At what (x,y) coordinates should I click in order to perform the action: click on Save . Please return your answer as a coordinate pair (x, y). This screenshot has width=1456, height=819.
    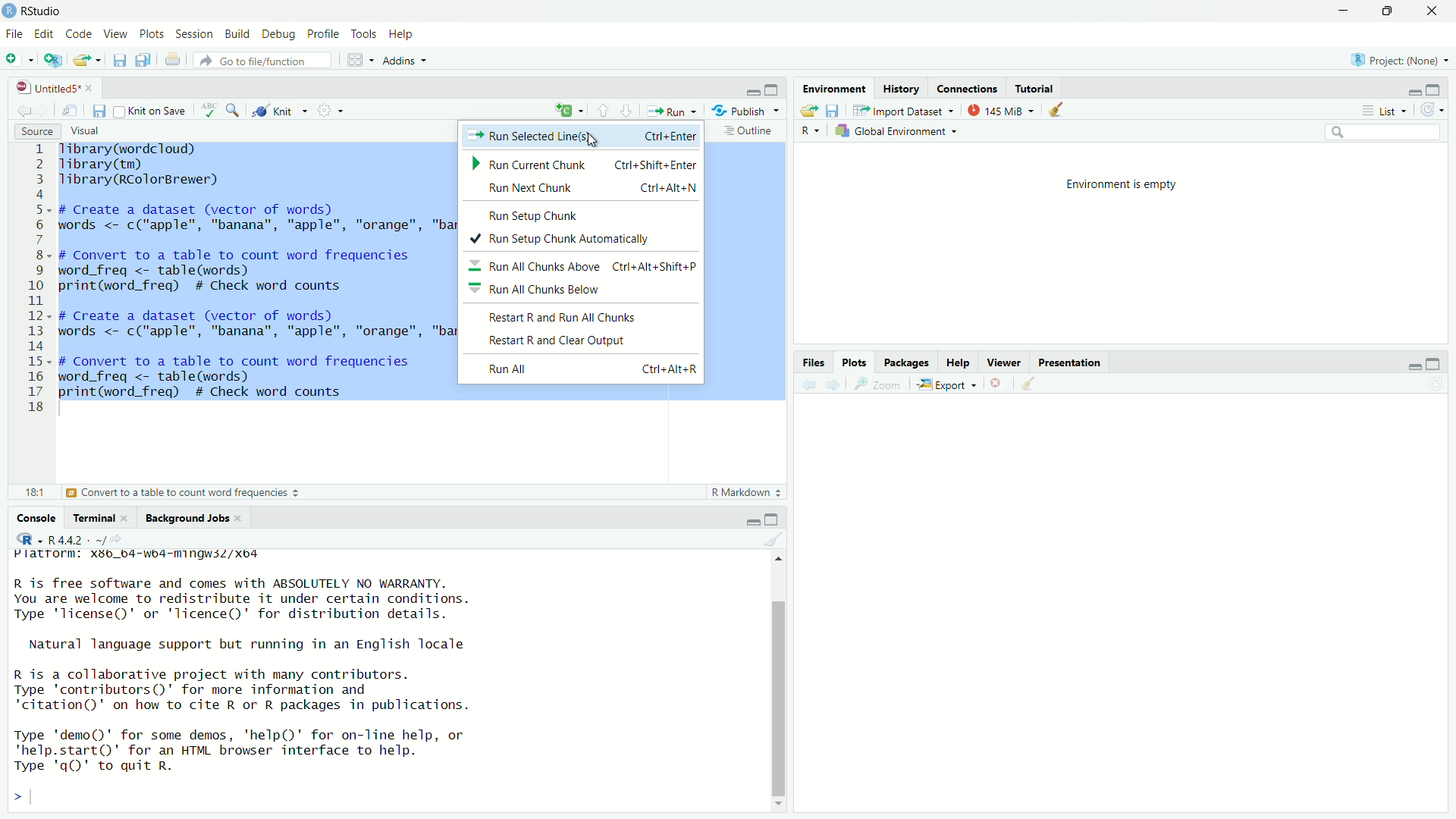
    Looking at the image, I should click on (833, 111).